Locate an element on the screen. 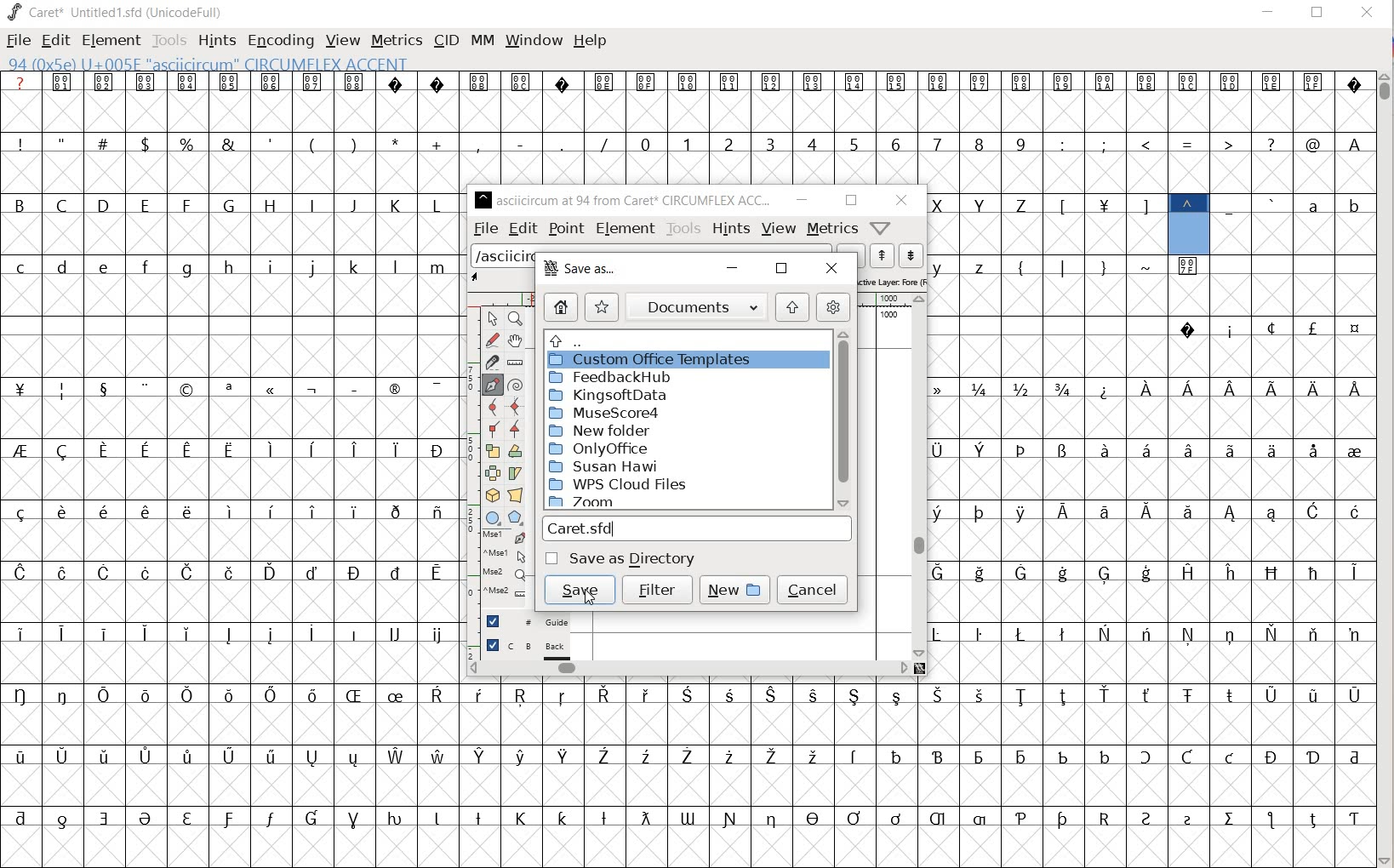  METRICS is located at coordinates (397, 41).